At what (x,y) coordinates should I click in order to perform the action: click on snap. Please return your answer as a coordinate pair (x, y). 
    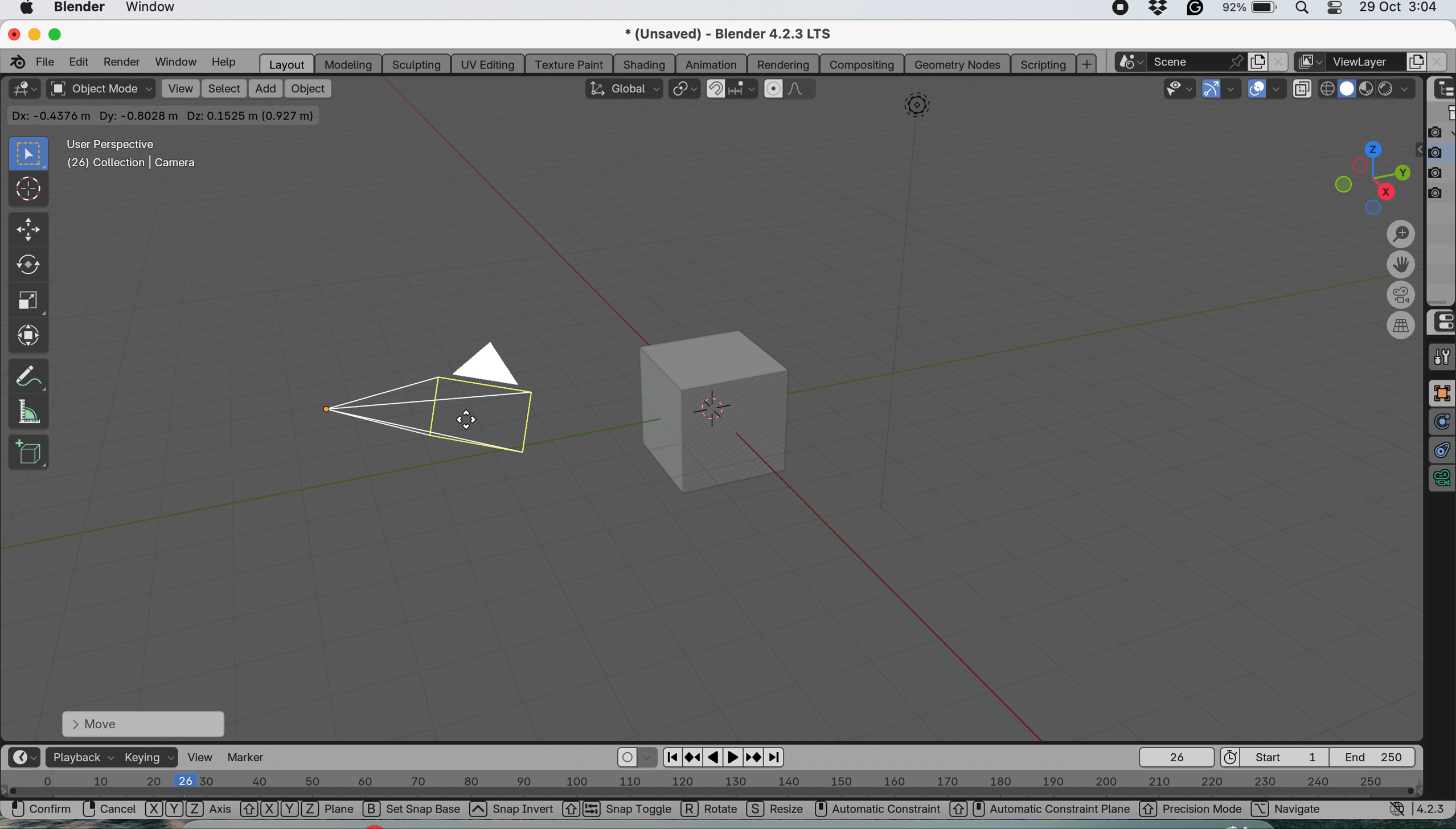
    Looking at the image, I should click on (716, 87).